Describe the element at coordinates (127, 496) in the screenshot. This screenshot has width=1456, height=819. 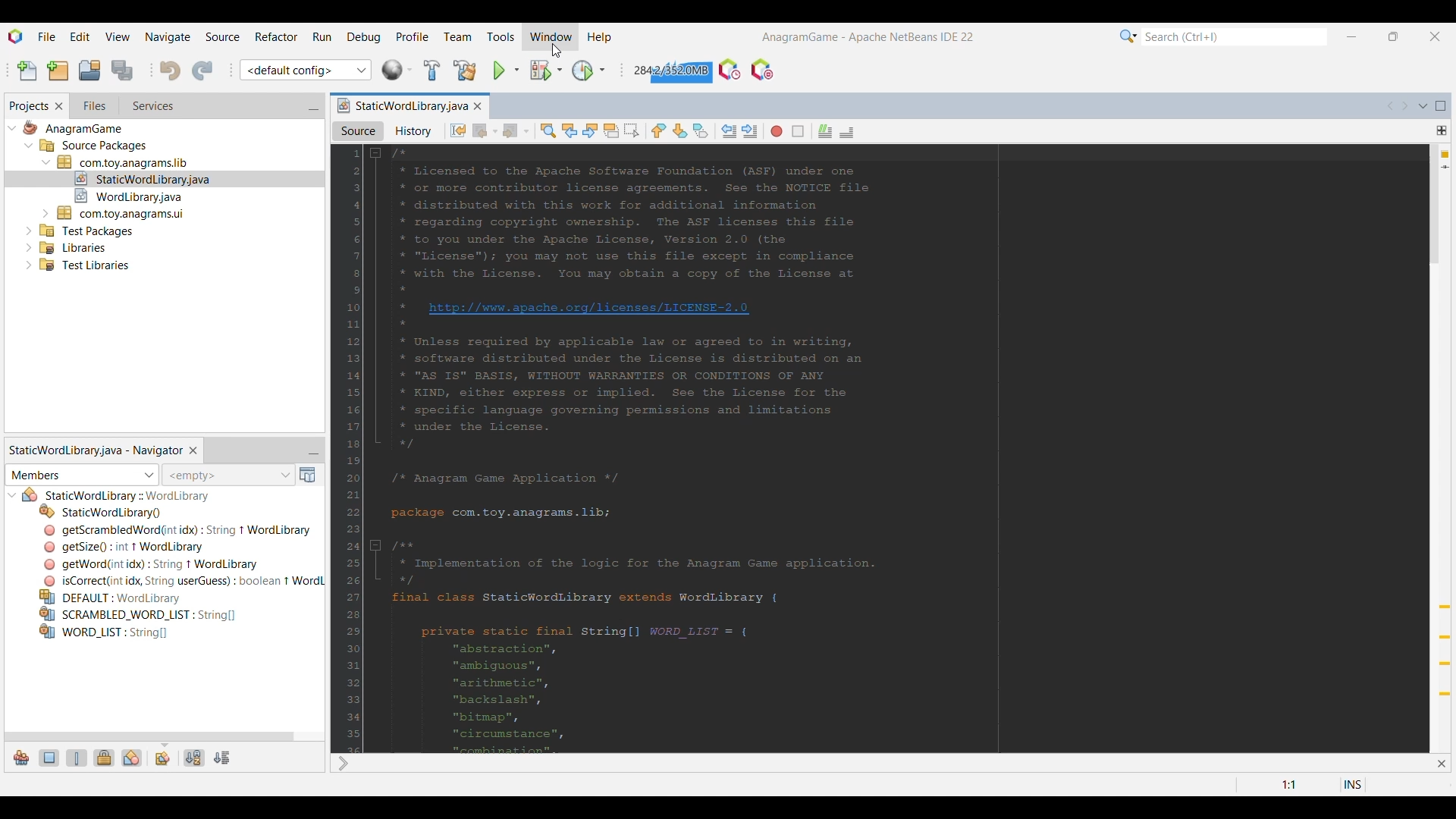
I see `` at that location.